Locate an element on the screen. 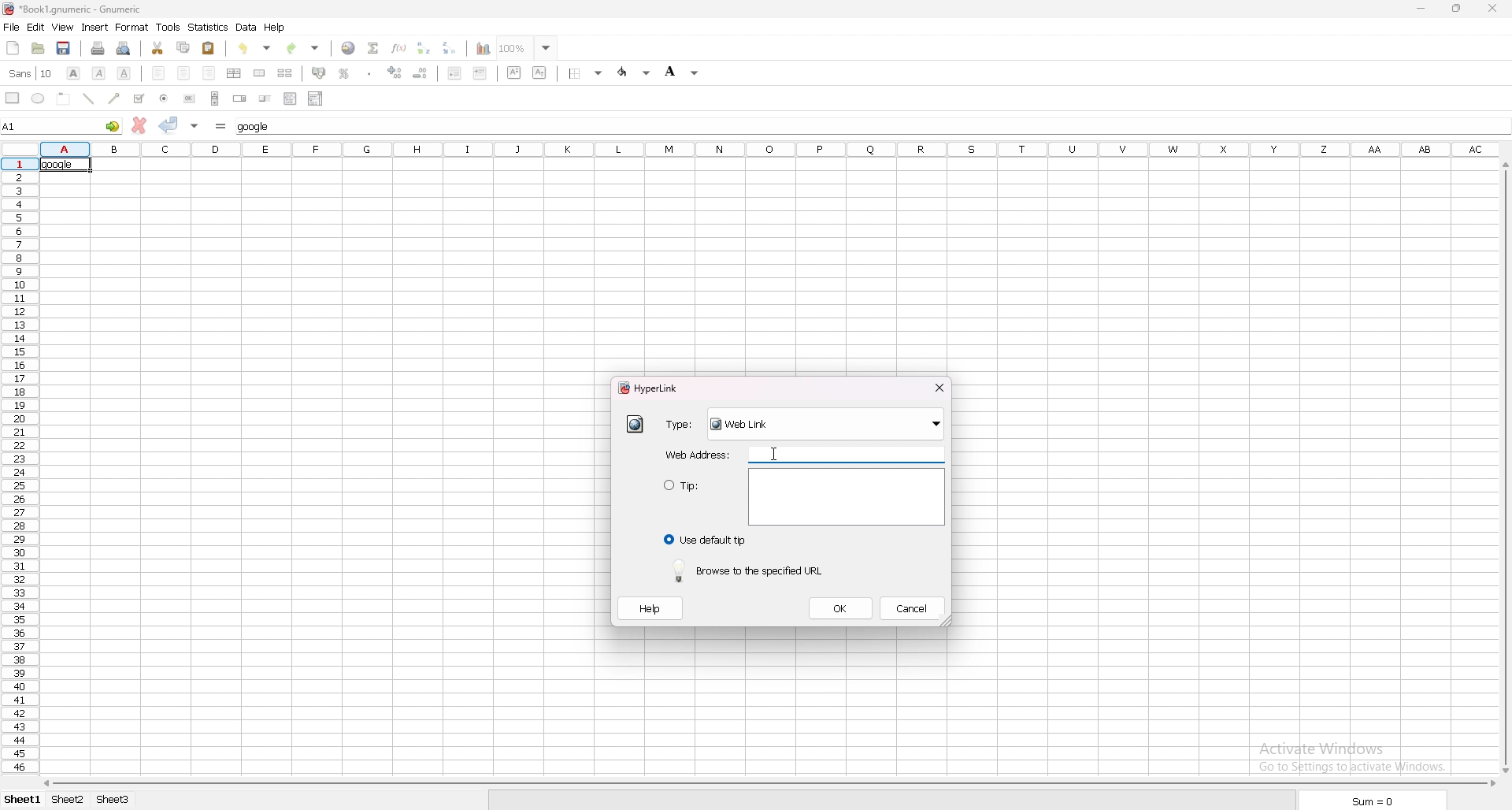  increase indent is located at coordinates (480, 72).